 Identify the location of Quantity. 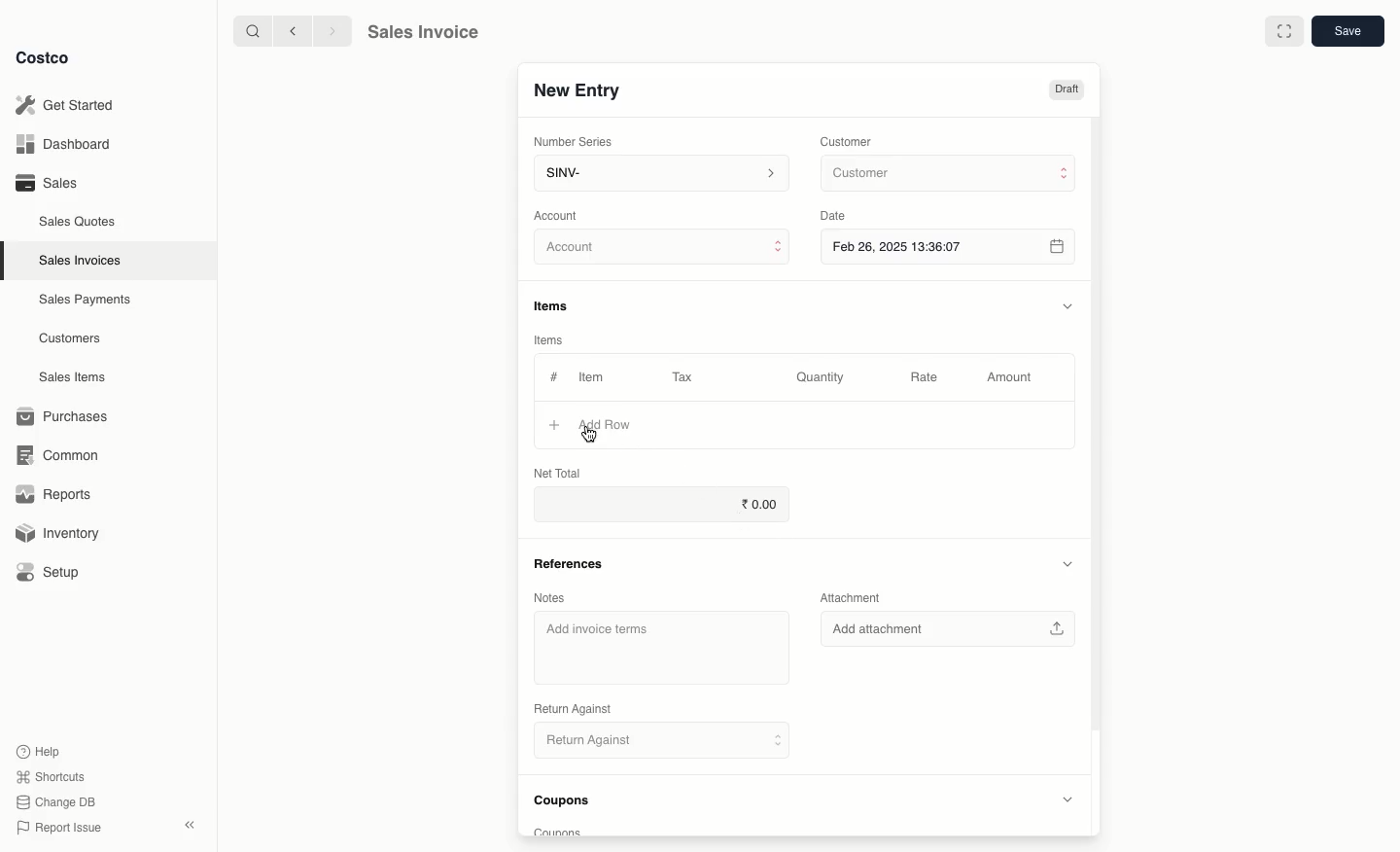
(819, 378).